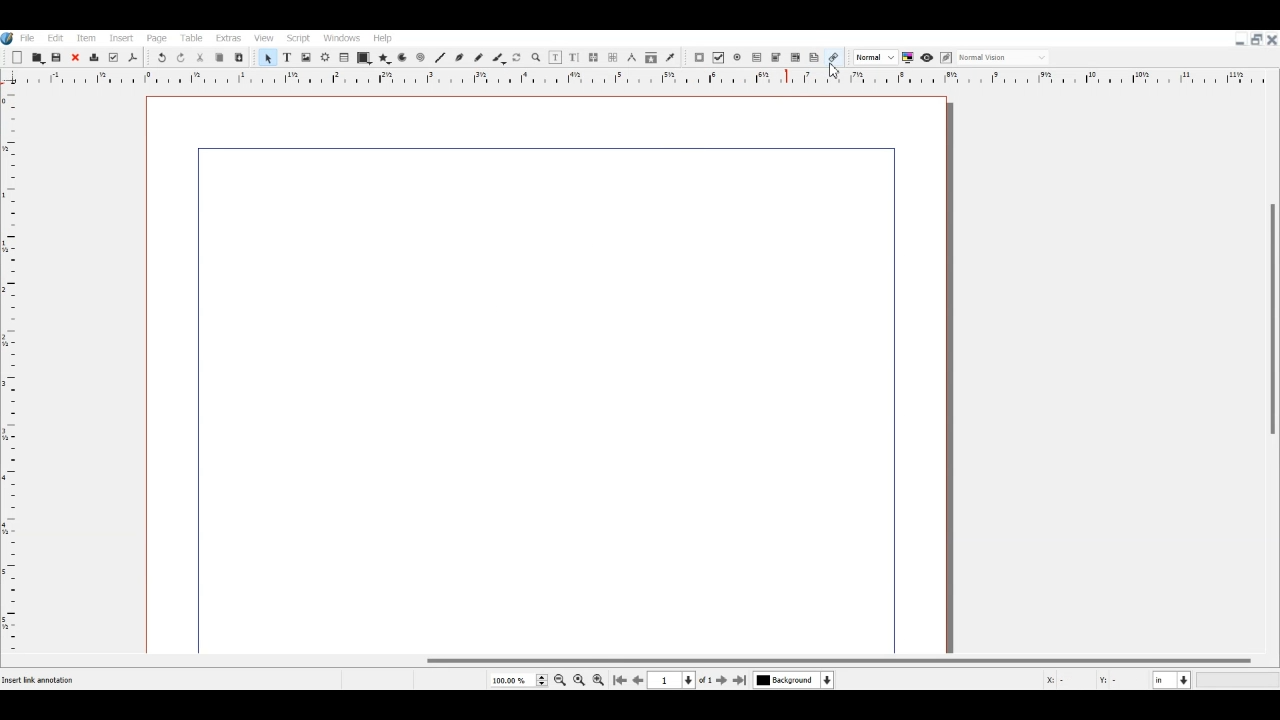 The image size is (1280, 720). What do you see at coordinates (93, 58) in the screenshot?
I see `Delete` at bounding box center [93, 58].